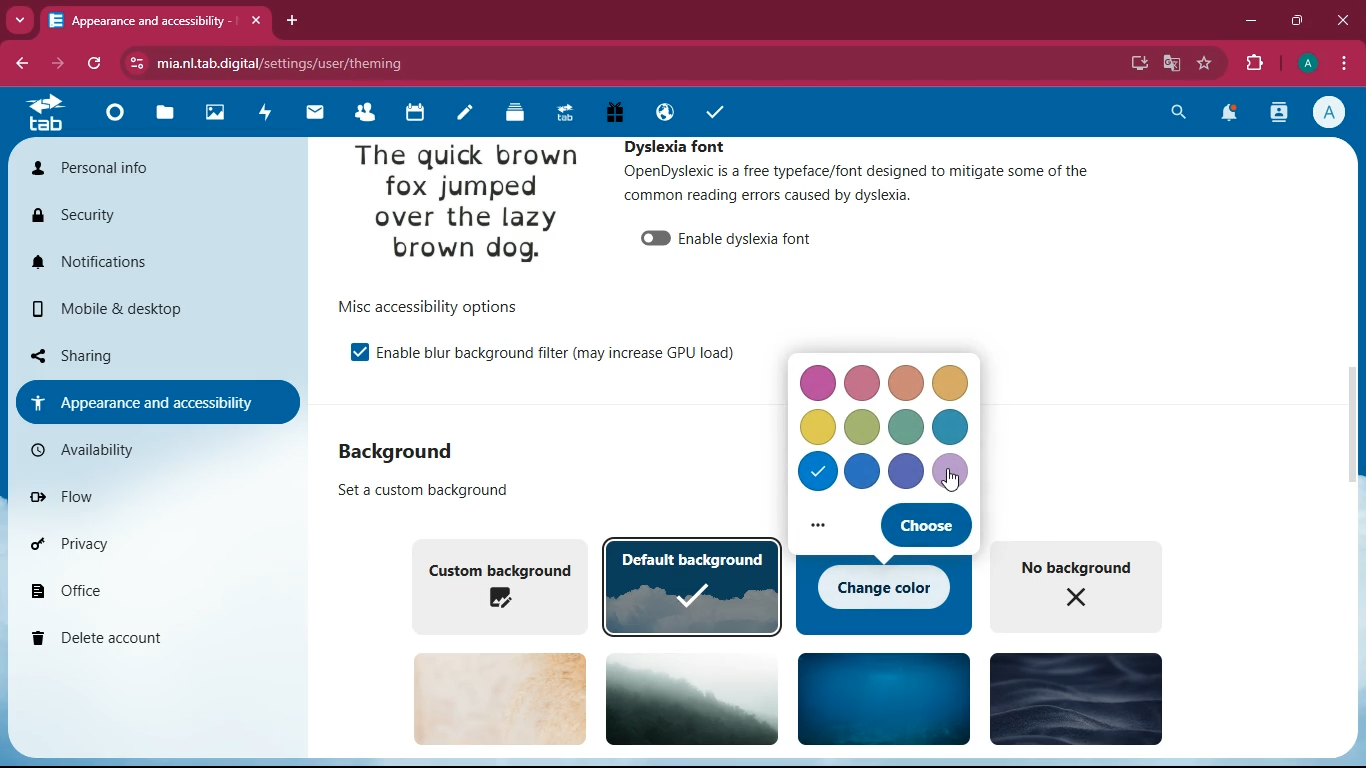  I want to click on minimize, so click(1252, 21).